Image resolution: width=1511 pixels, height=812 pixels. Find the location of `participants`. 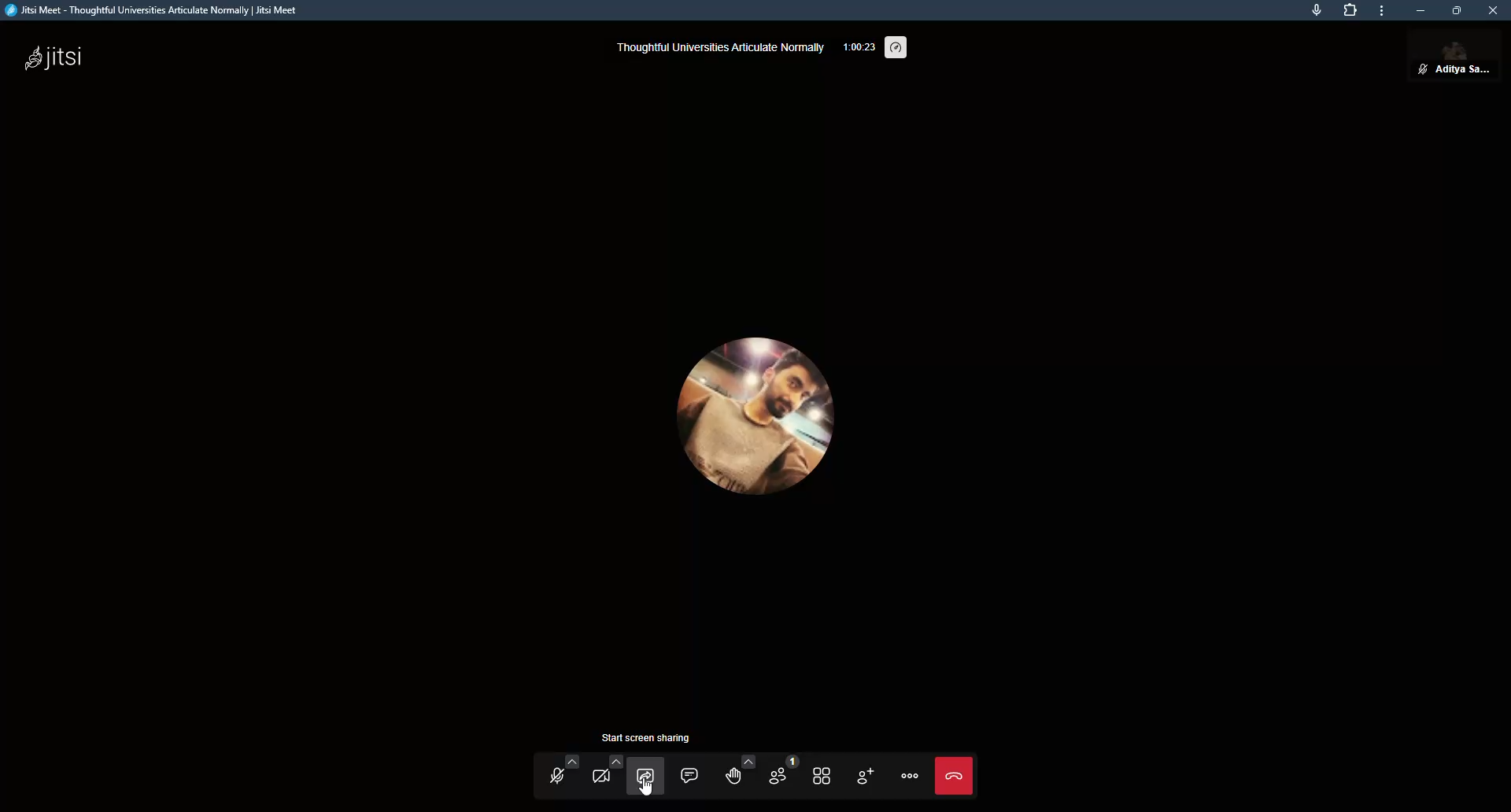

participants is located at coordinates (781, 773).